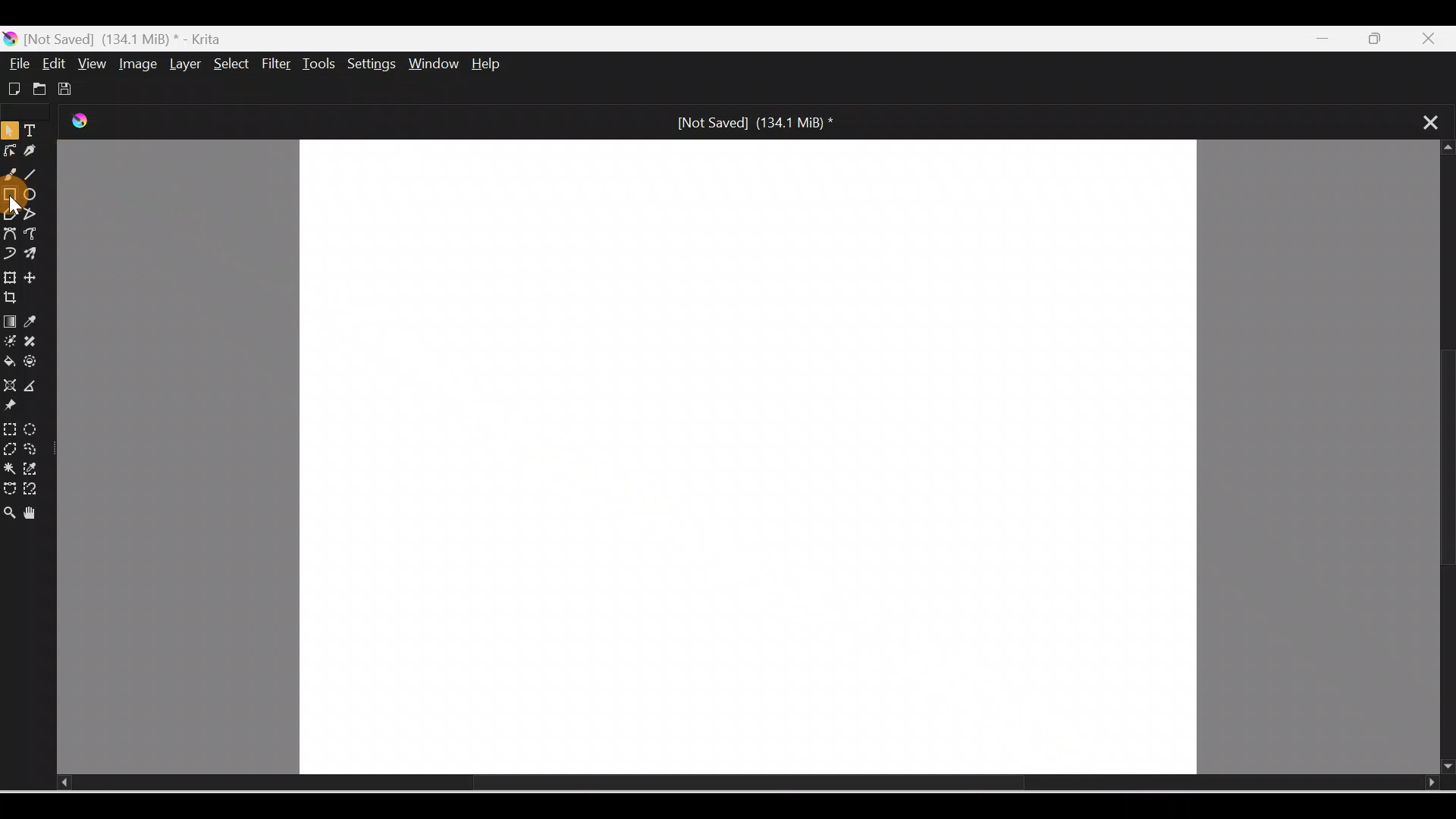 The width and height of the screenshot is (1456, 819). Describe the element at coordinates (9, 485) in the screenshot. I see `Bezier curve selection tool` at that location.